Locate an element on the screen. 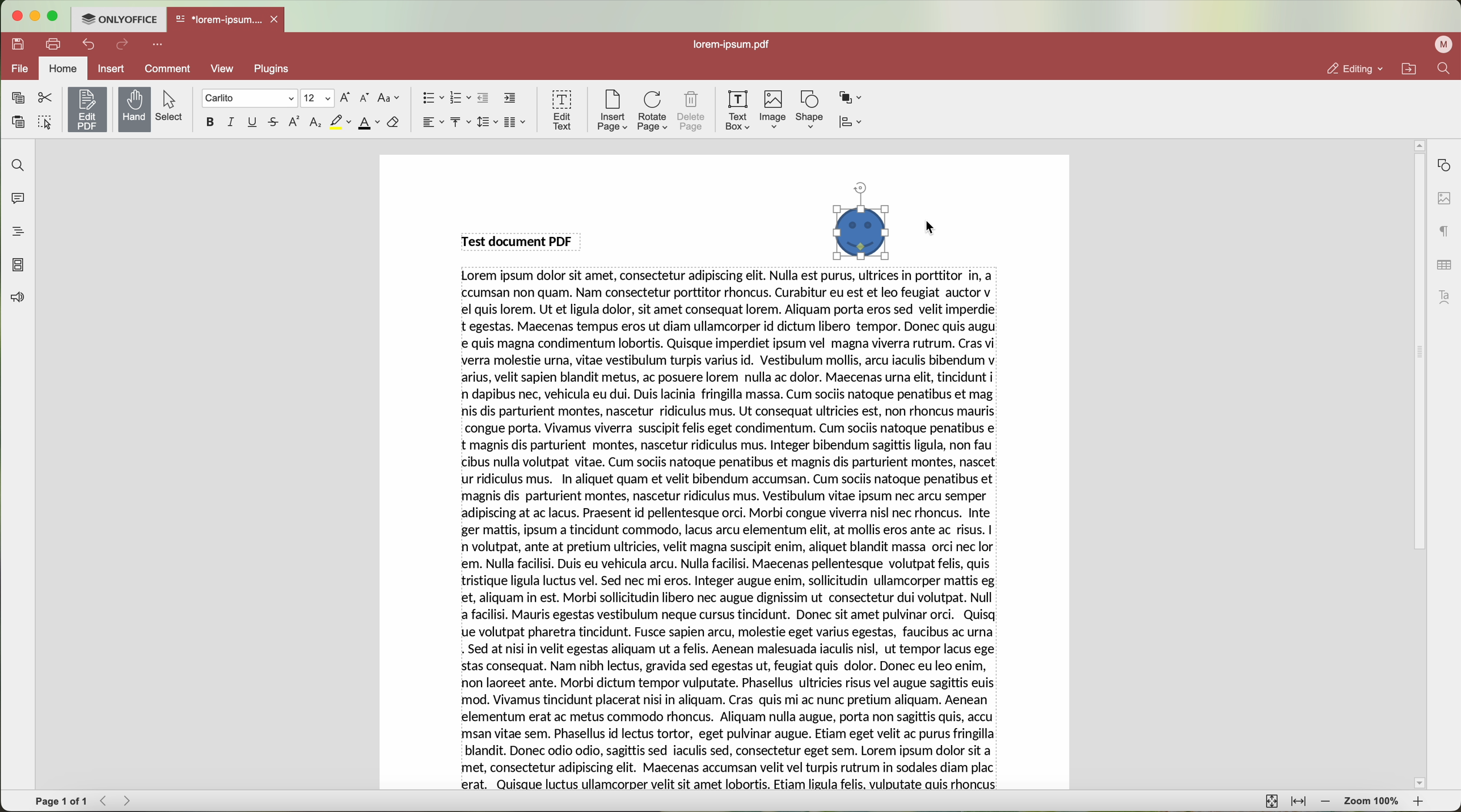  ONLYOFFICE is located at coordinates (120, 19).